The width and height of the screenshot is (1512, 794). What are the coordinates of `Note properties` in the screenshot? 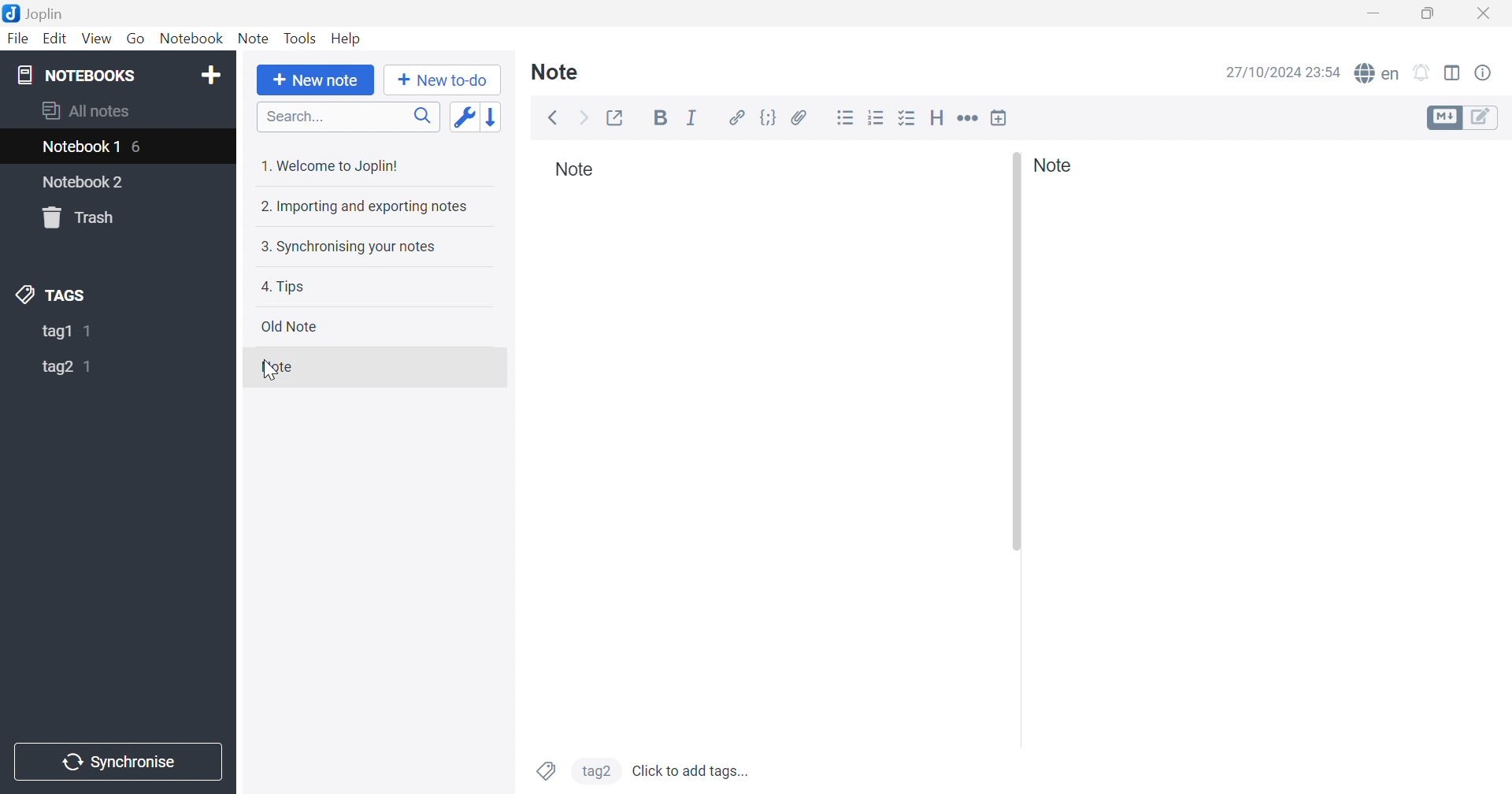 It's located at (1488, 72).